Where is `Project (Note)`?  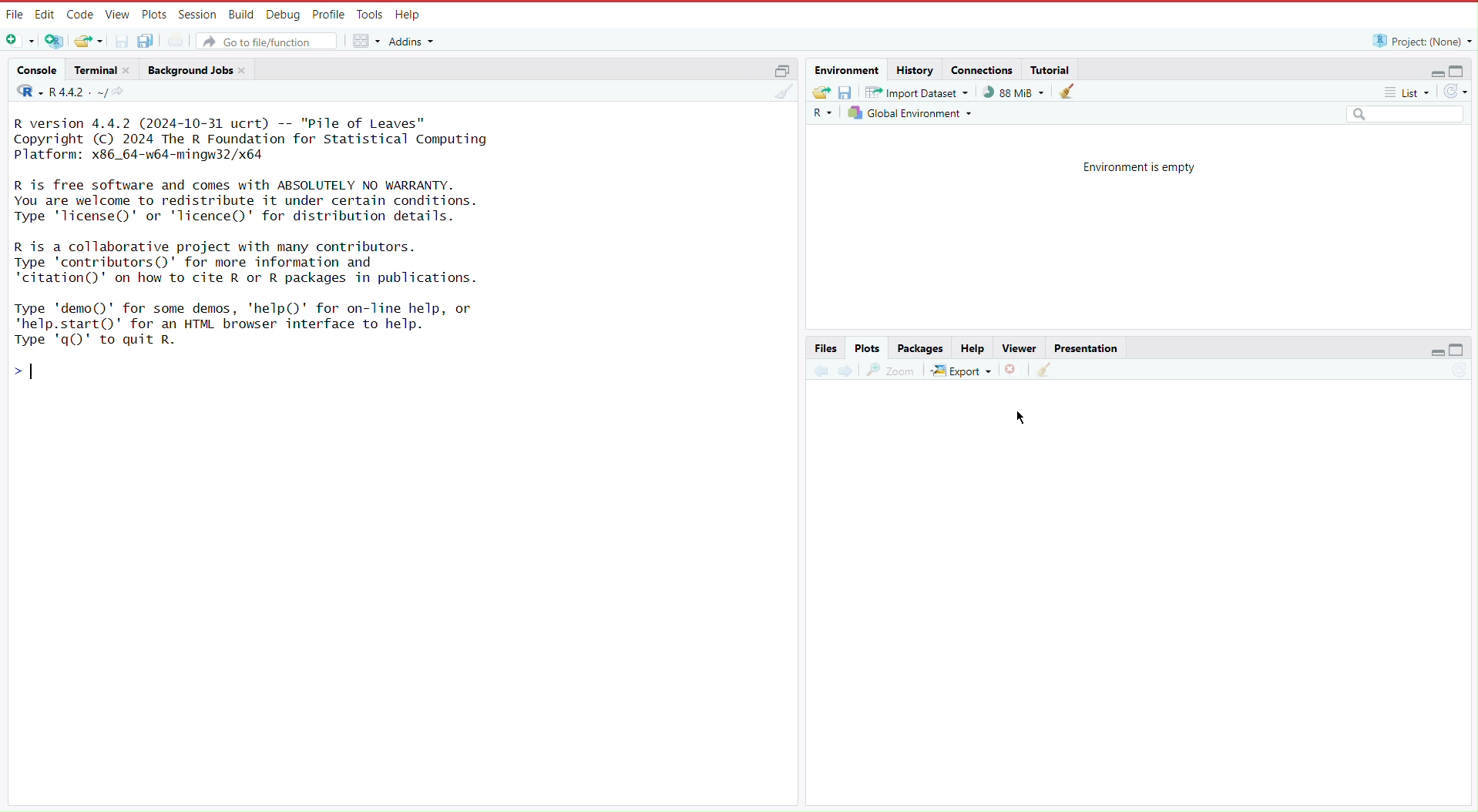
Project (Note) is located at coordinates (1418, 40).